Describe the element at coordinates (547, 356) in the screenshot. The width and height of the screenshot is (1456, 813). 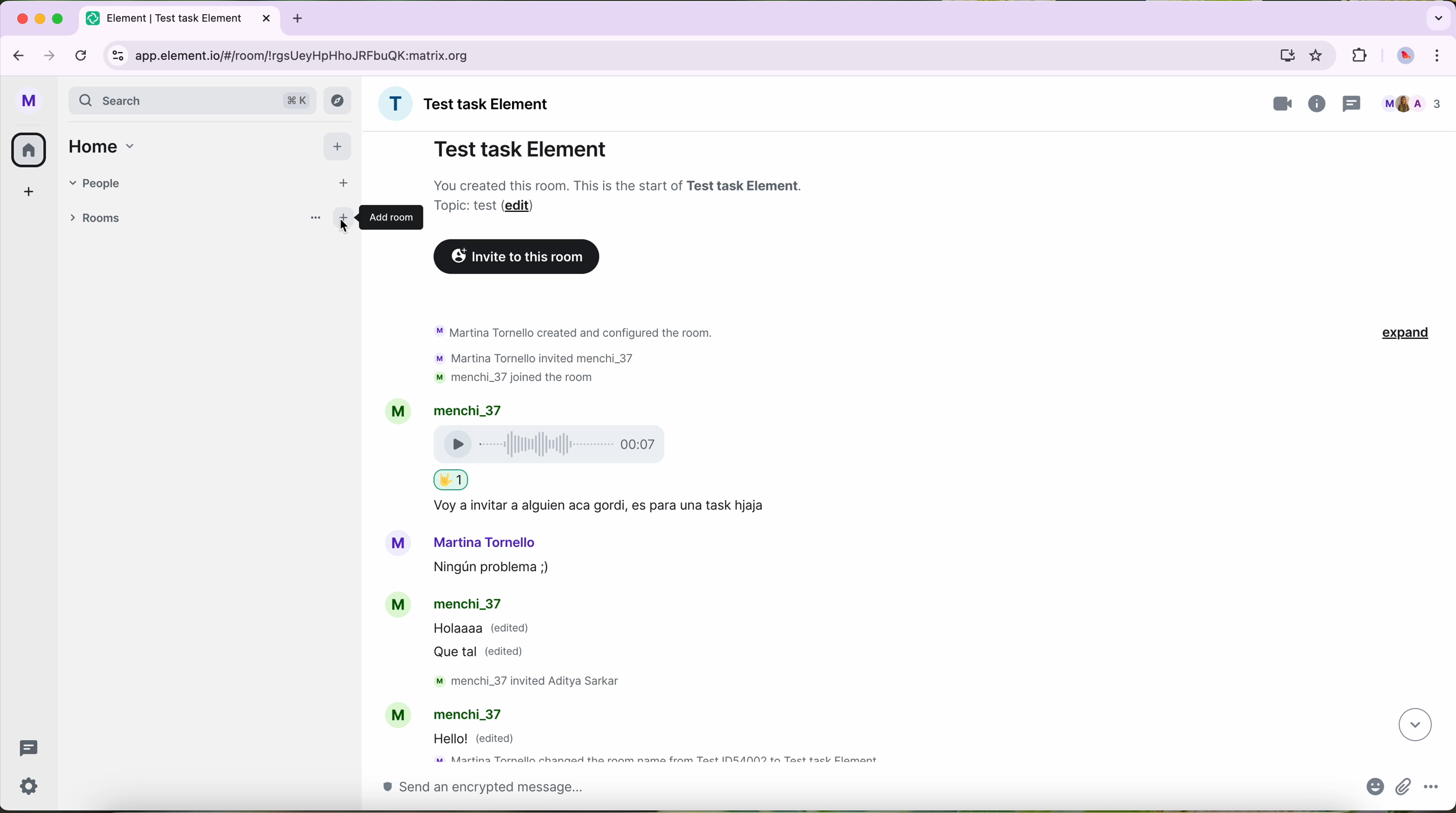
I see `text` at that location.